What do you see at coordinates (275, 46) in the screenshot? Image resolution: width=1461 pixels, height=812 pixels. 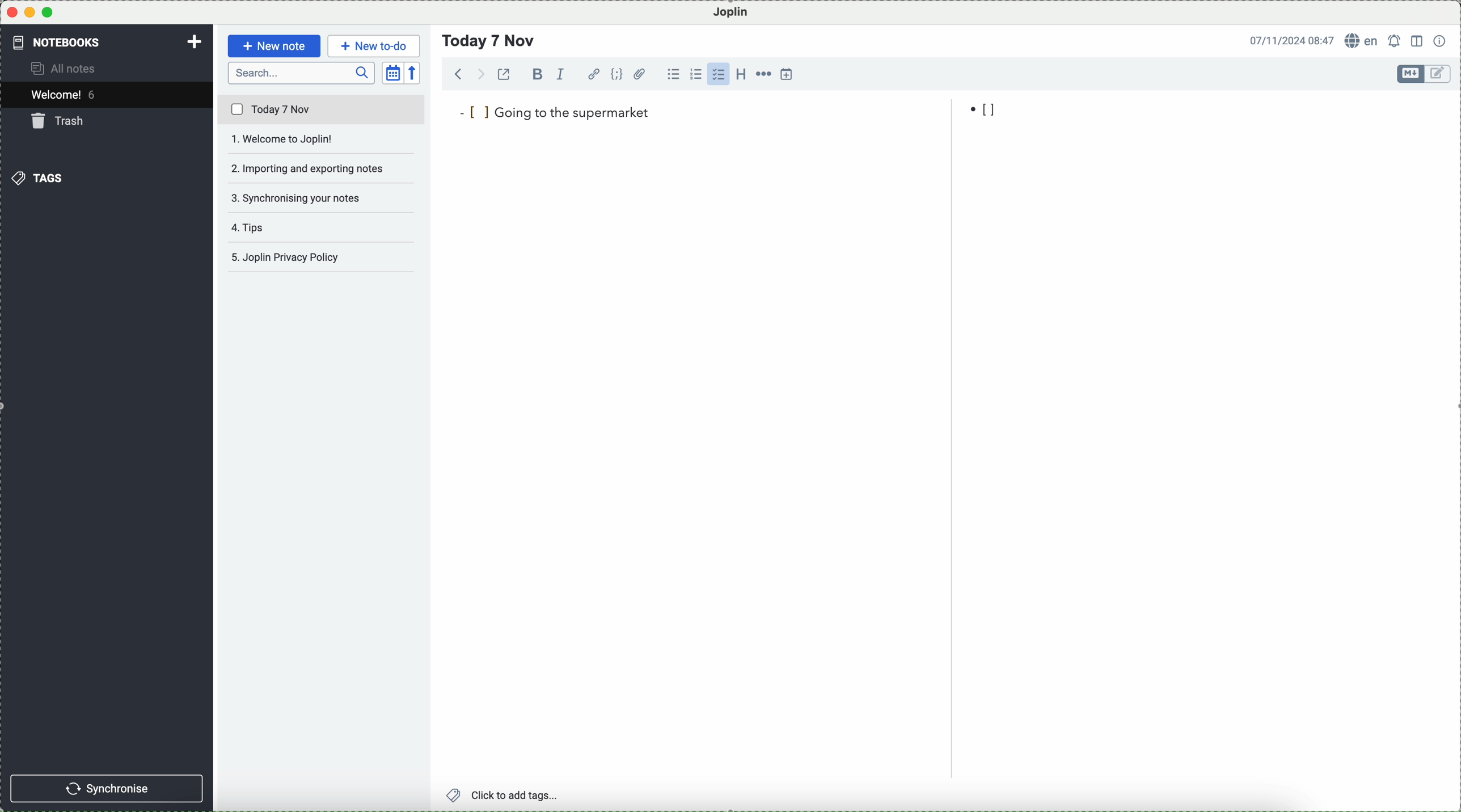 I see `new note button` at bounding box center [275, 46].